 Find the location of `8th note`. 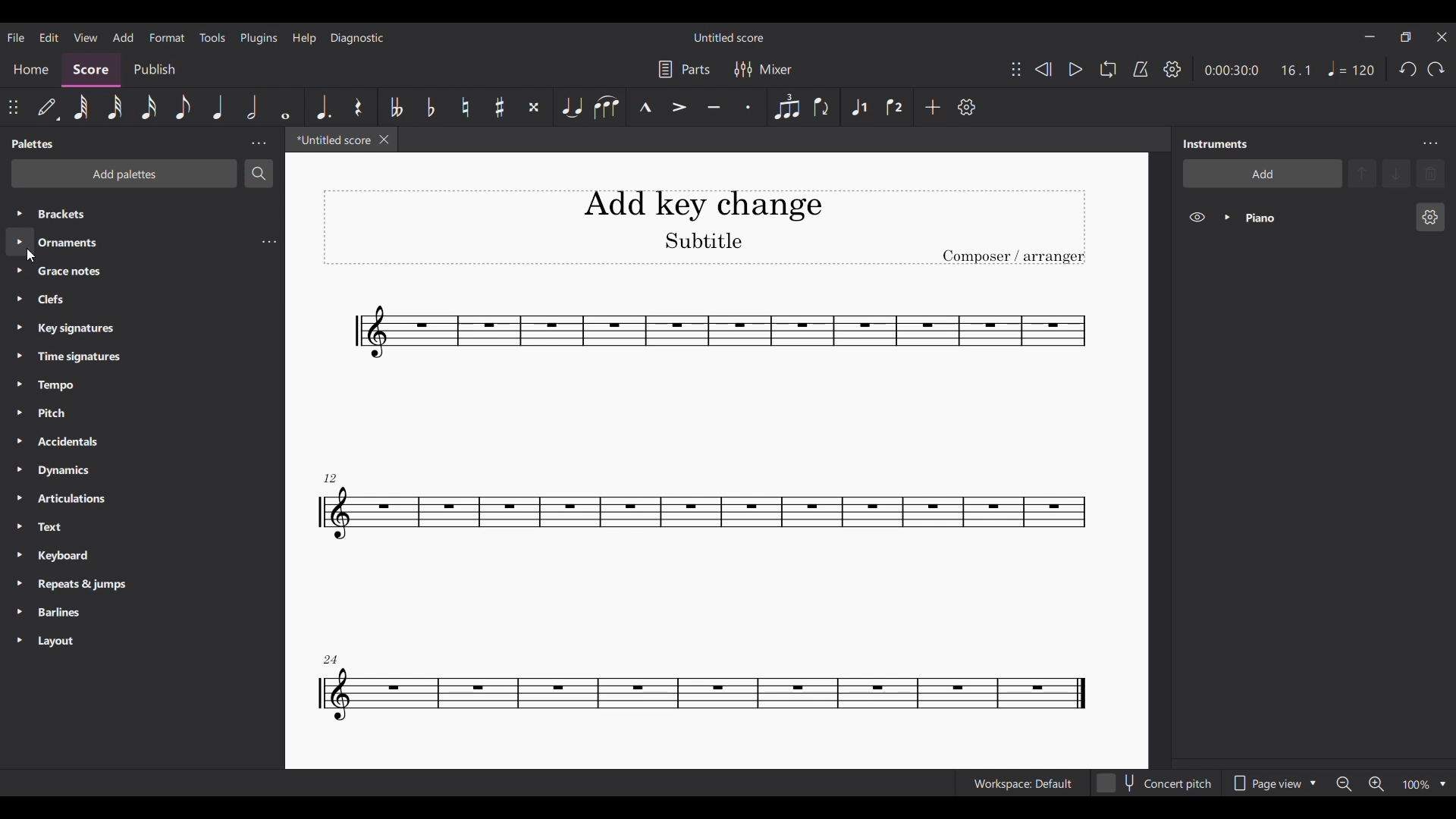

8th note is located at coordinates (183, 107).